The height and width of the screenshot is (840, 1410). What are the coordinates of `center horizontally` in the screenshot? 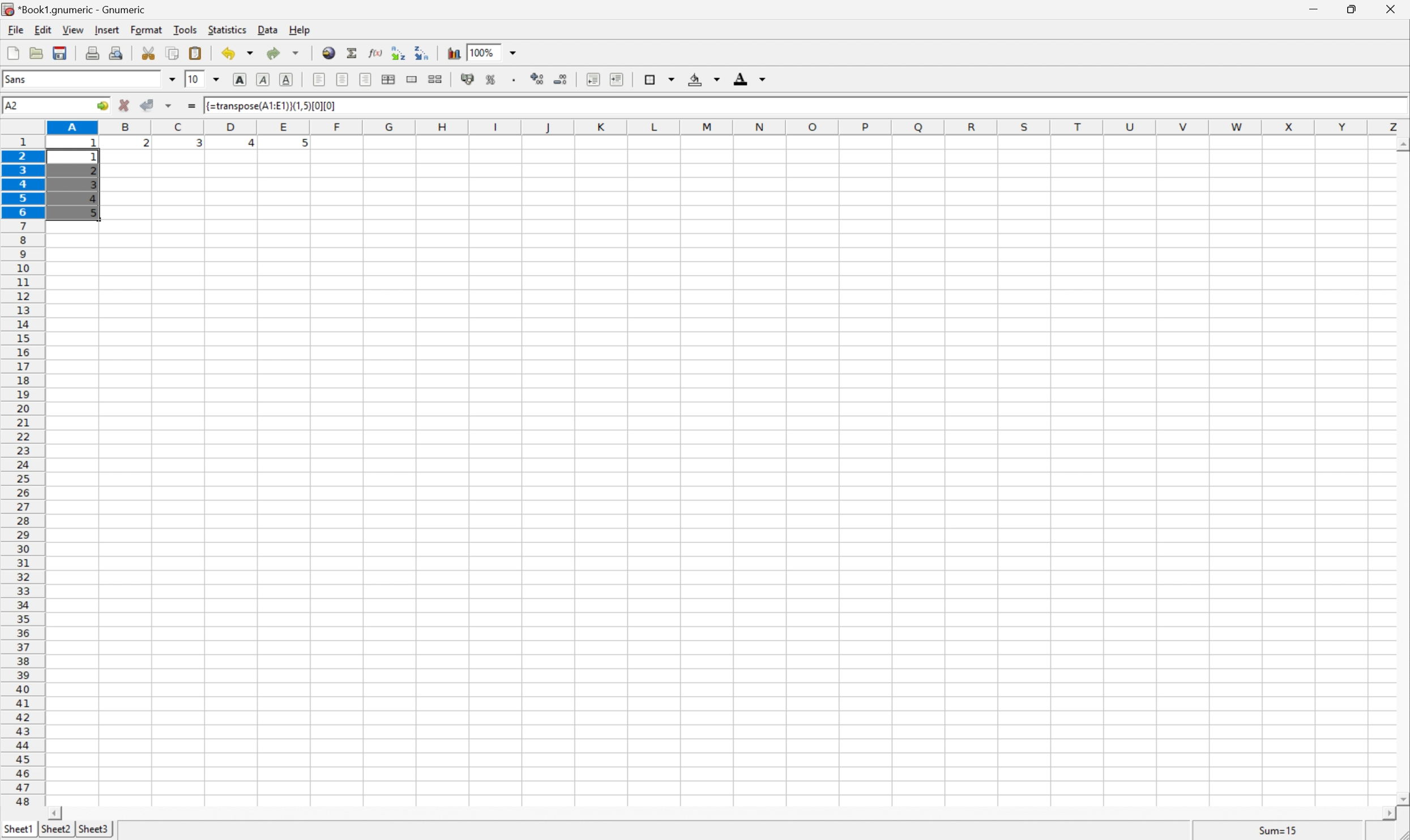 It's located at (389, 79).